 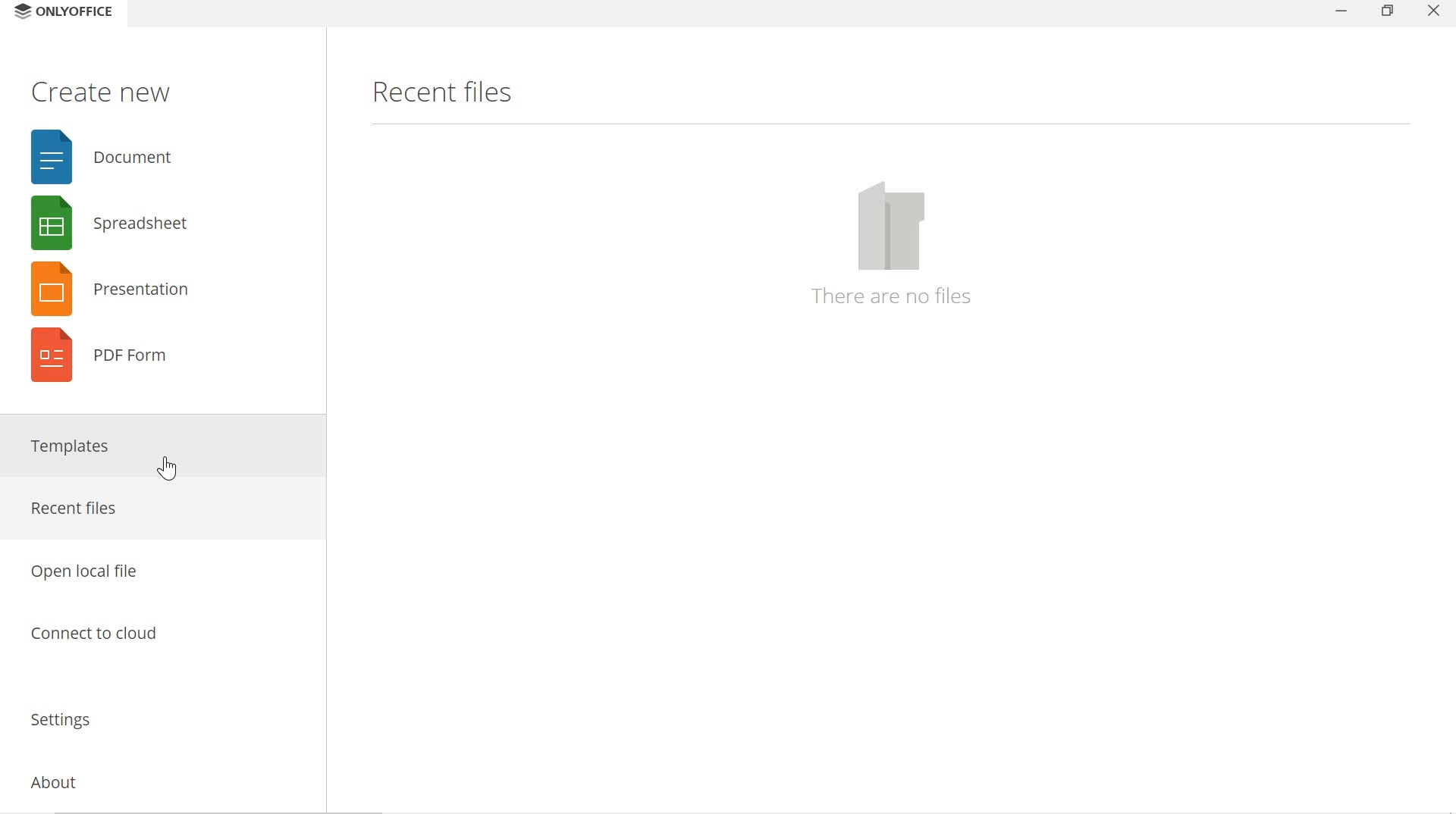 What do you see at coordinates (106, 290) in the screenshot?
I see `PRESENTATION` at bounding box center [106, 290].